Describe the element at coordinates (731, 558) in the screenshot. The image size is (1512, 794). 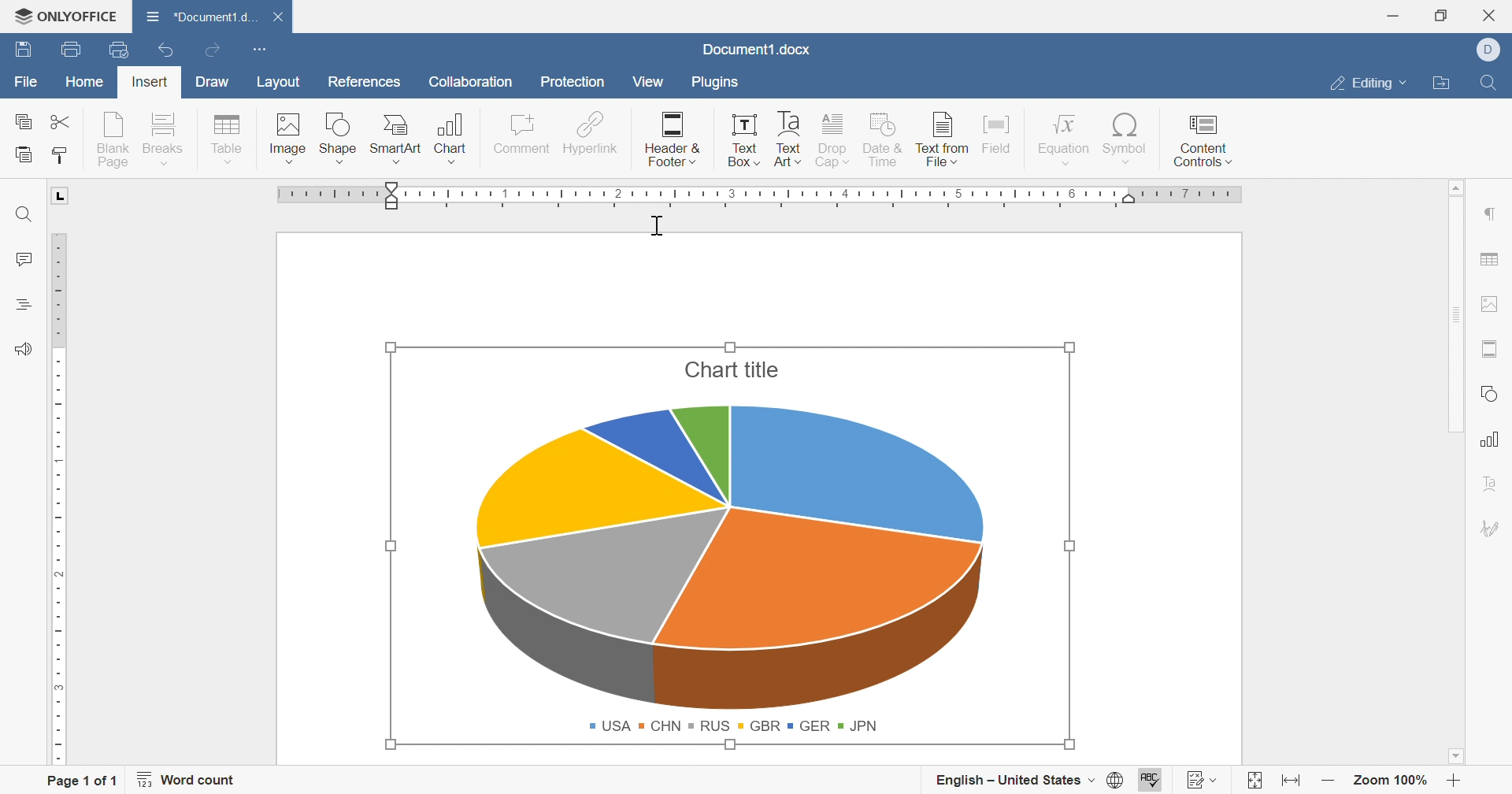
I see `3D Pie chart` at that location.